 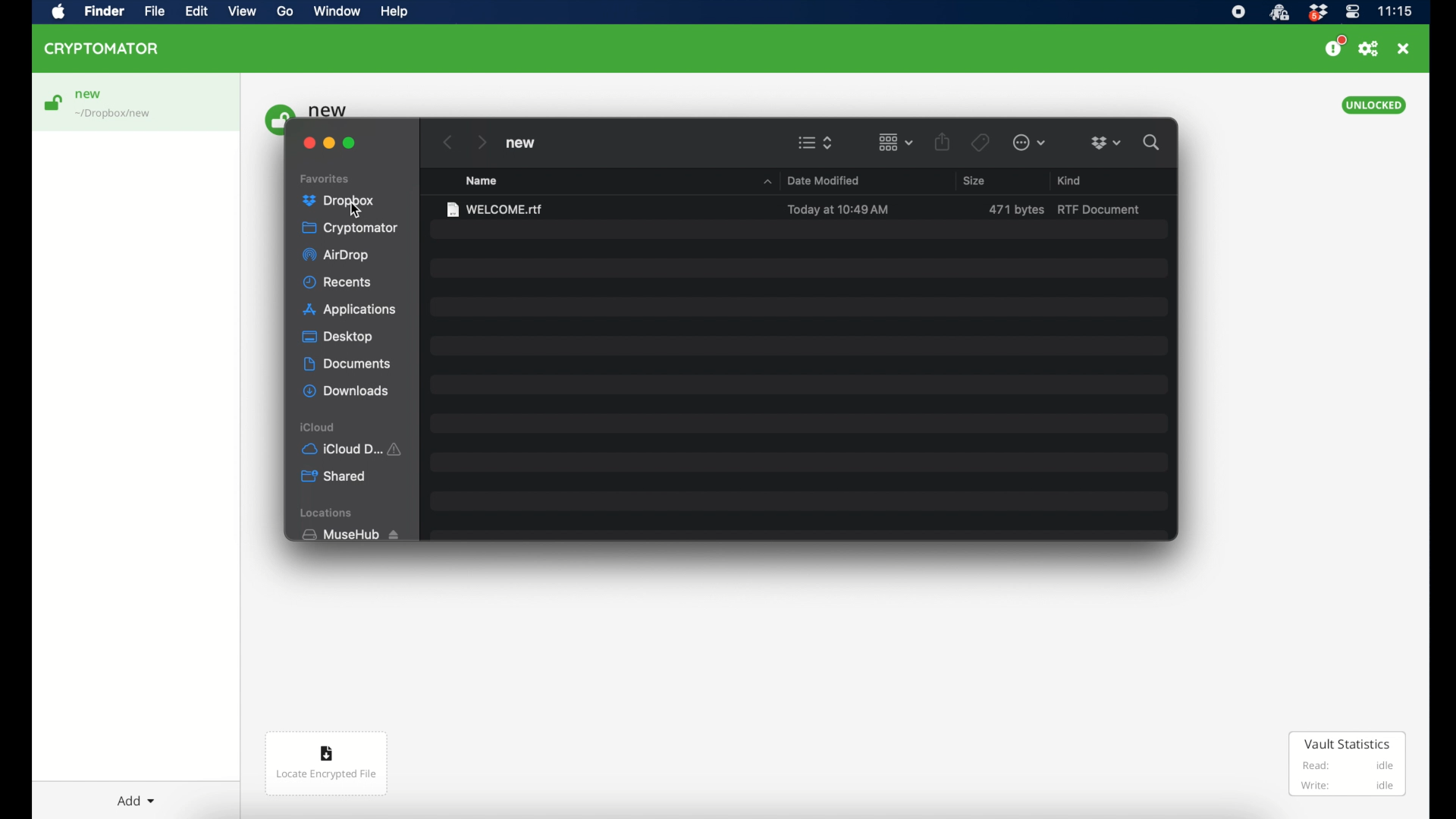 What do you see at coordinates (838, 210) in the screenshot?
I see `date` at bounding box center [838, 210].